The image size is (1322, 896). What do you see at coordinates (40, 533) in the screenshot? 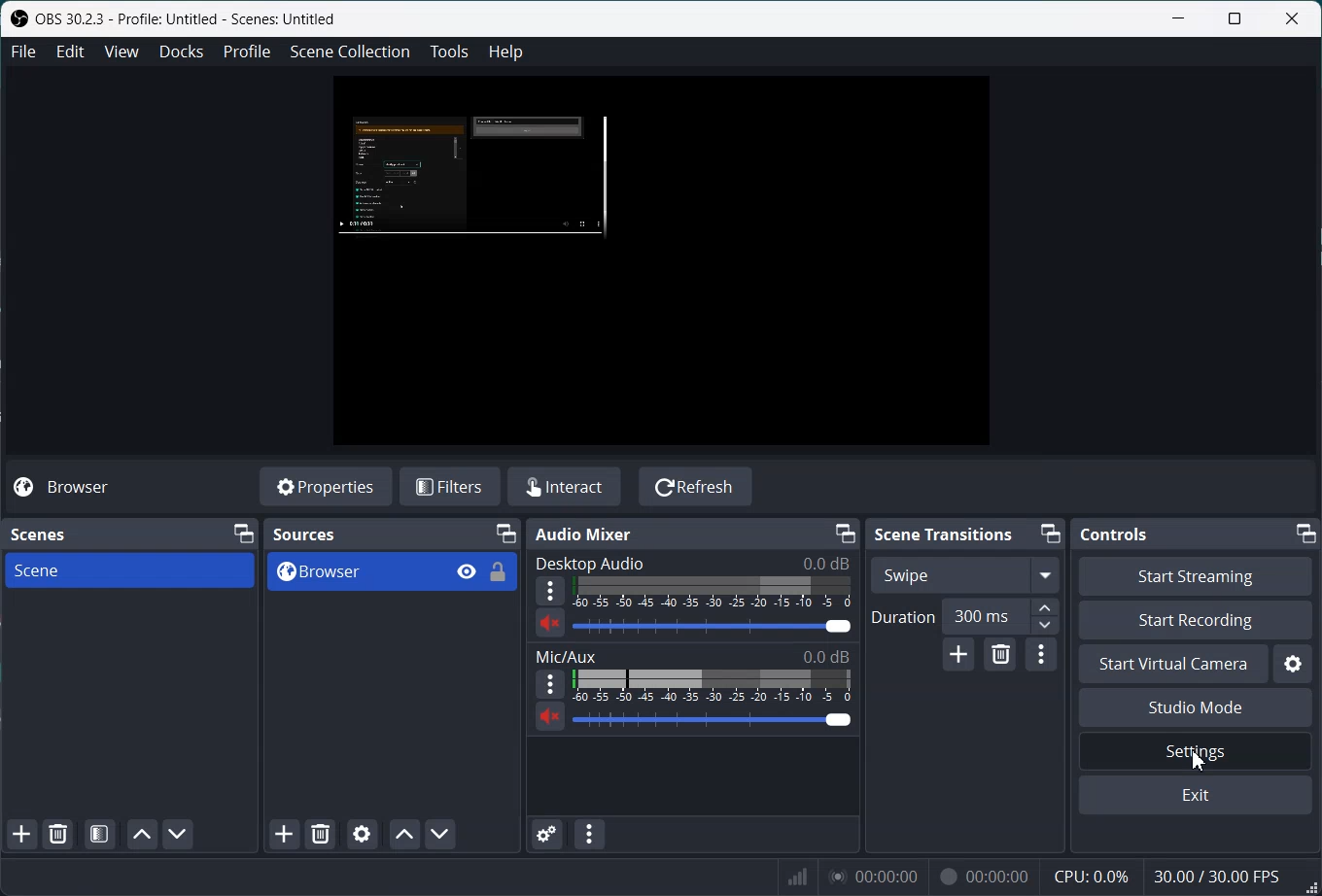
I see `Scenes` at bounding box center [40, 533].